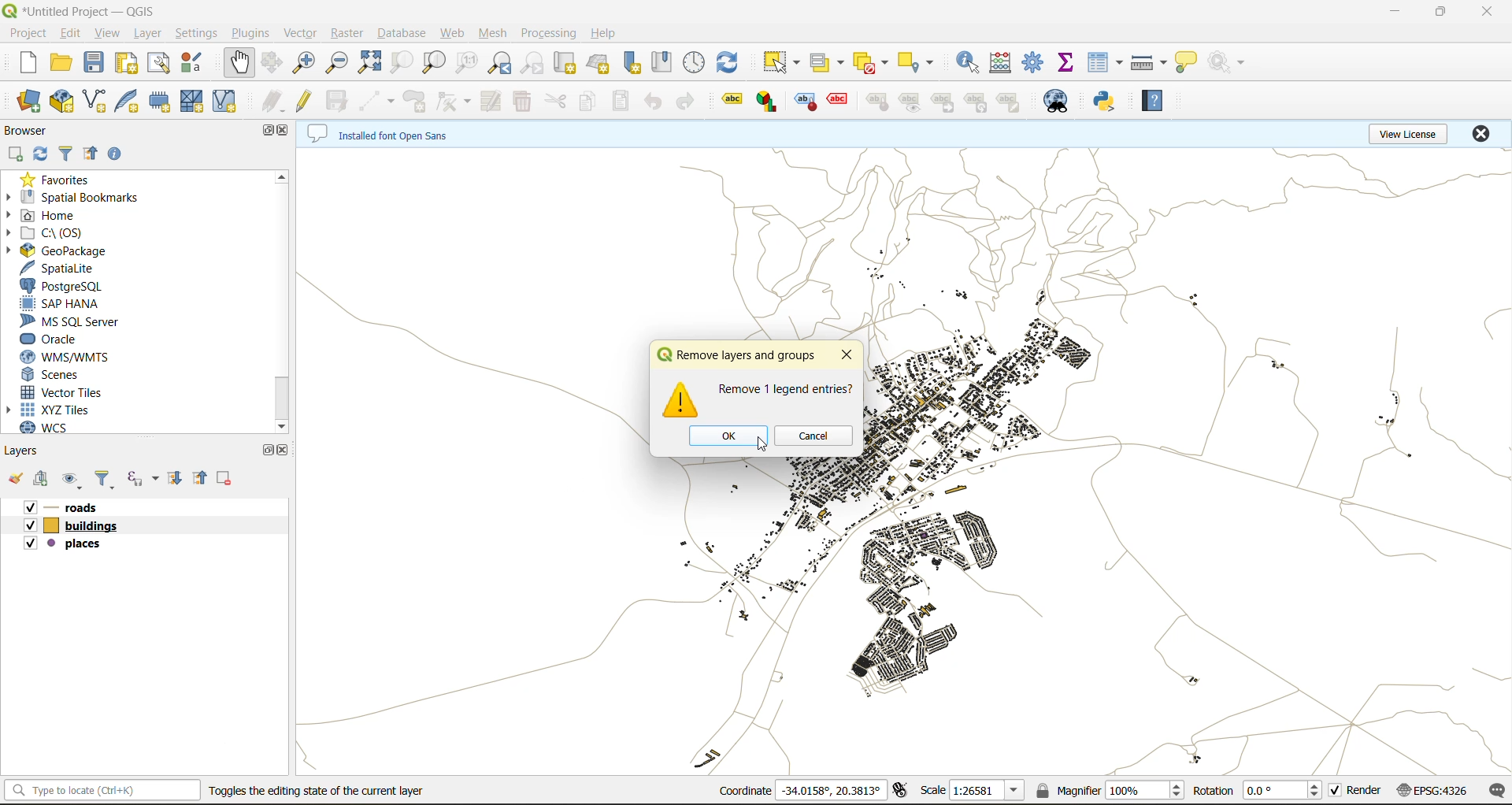  I want to click on collapse all, so click(88, 155).